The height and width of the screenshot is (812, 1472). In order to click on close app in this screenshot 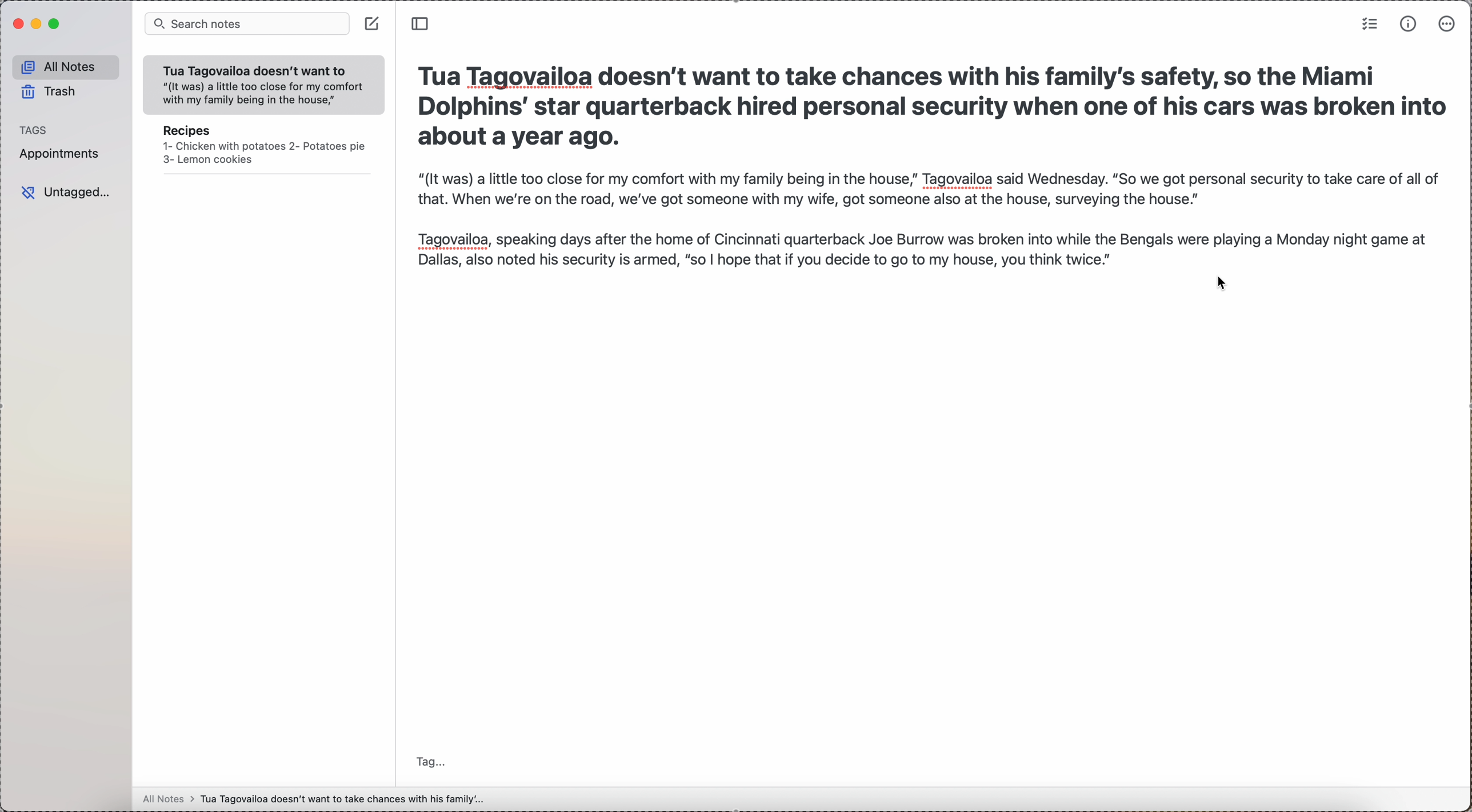, I will do `click(17, 25)`.